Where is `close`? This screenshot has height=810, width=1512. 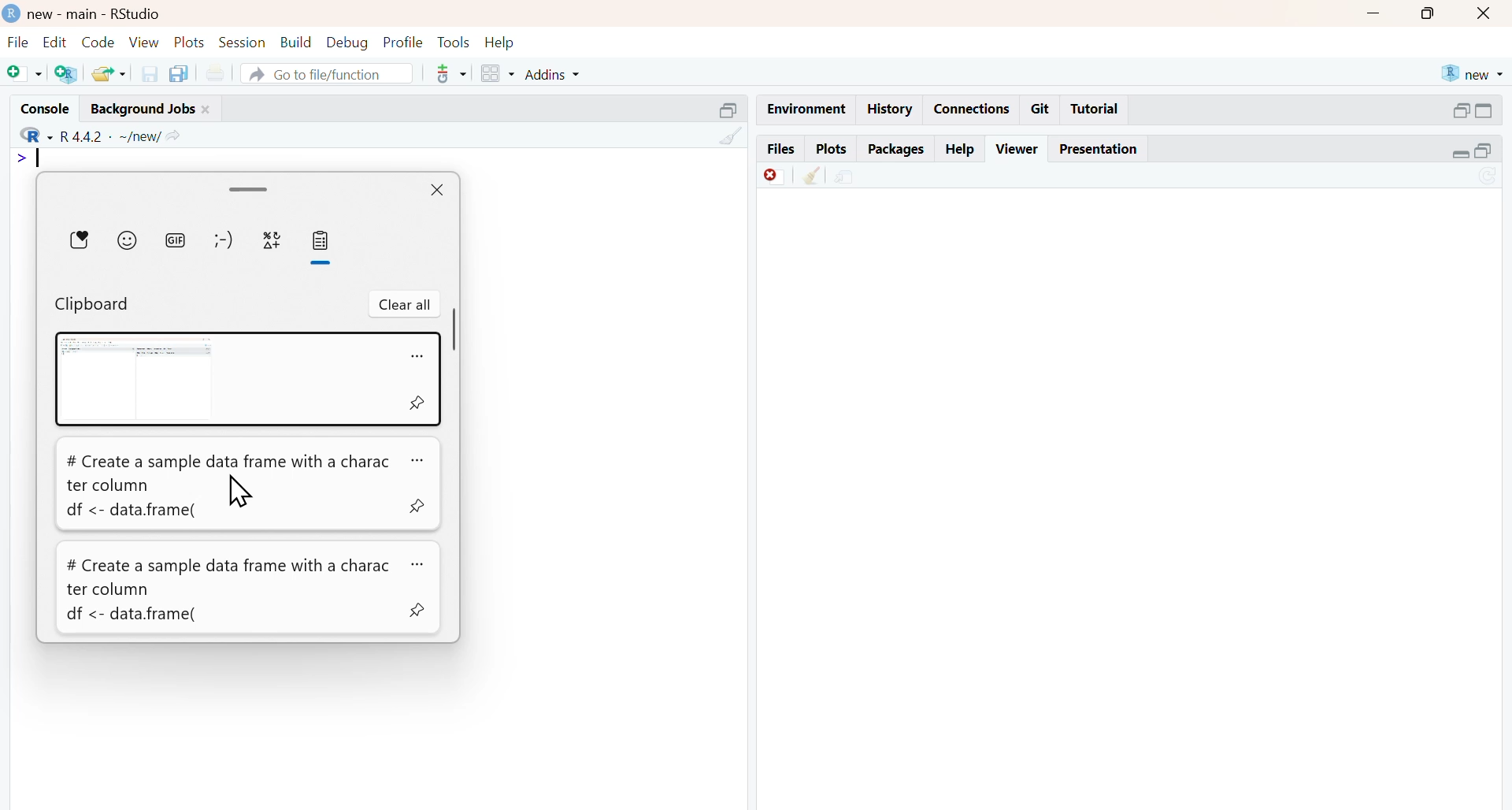
close is located at coordinates (437, 191).